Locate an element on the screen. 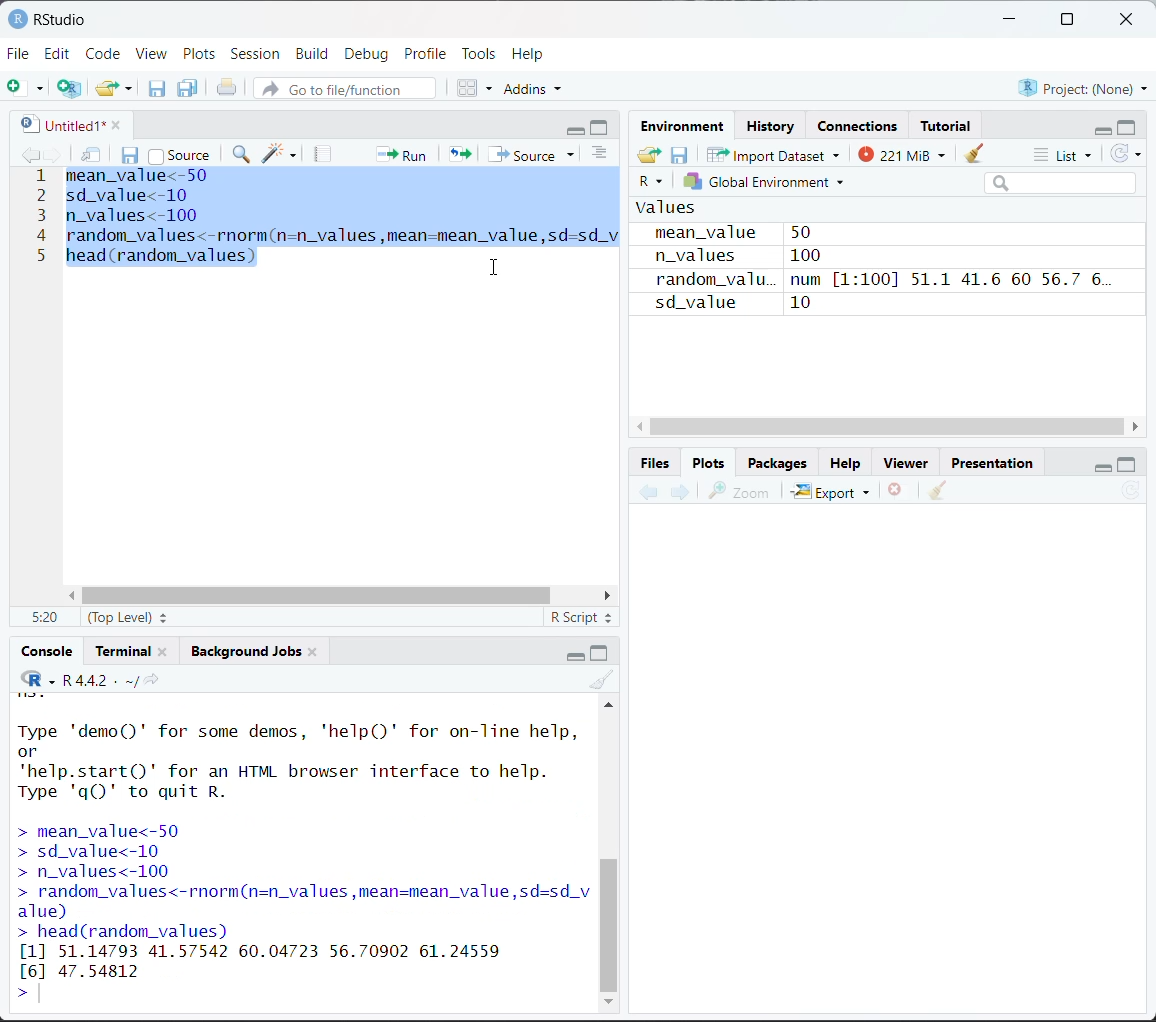 The height and width of the screenshot is (1022, 1156). Packages is located at coordinates (777, 462).